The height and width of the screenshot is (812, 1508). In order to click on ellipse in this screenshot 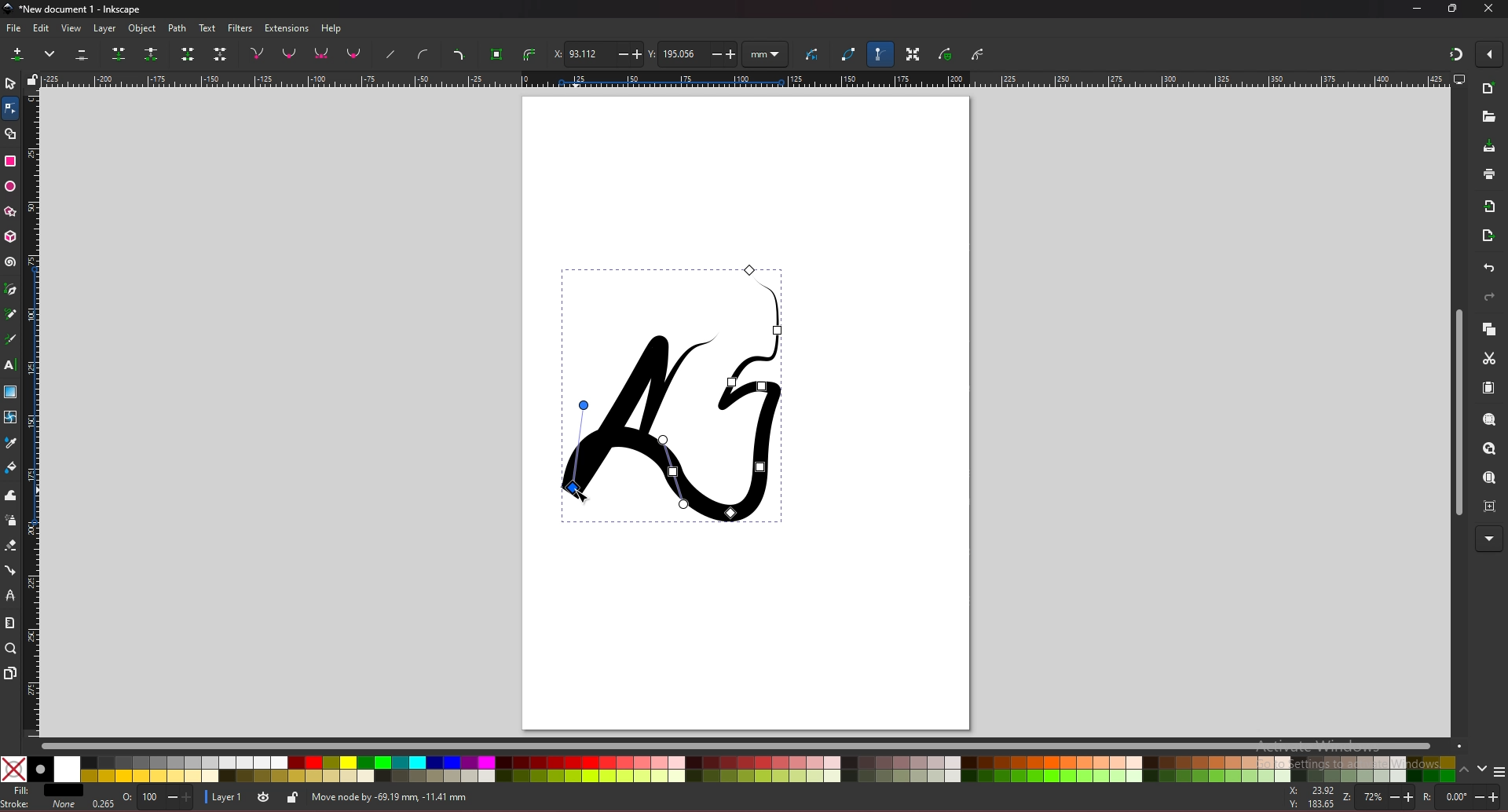, I will do `click(10, 186)`.